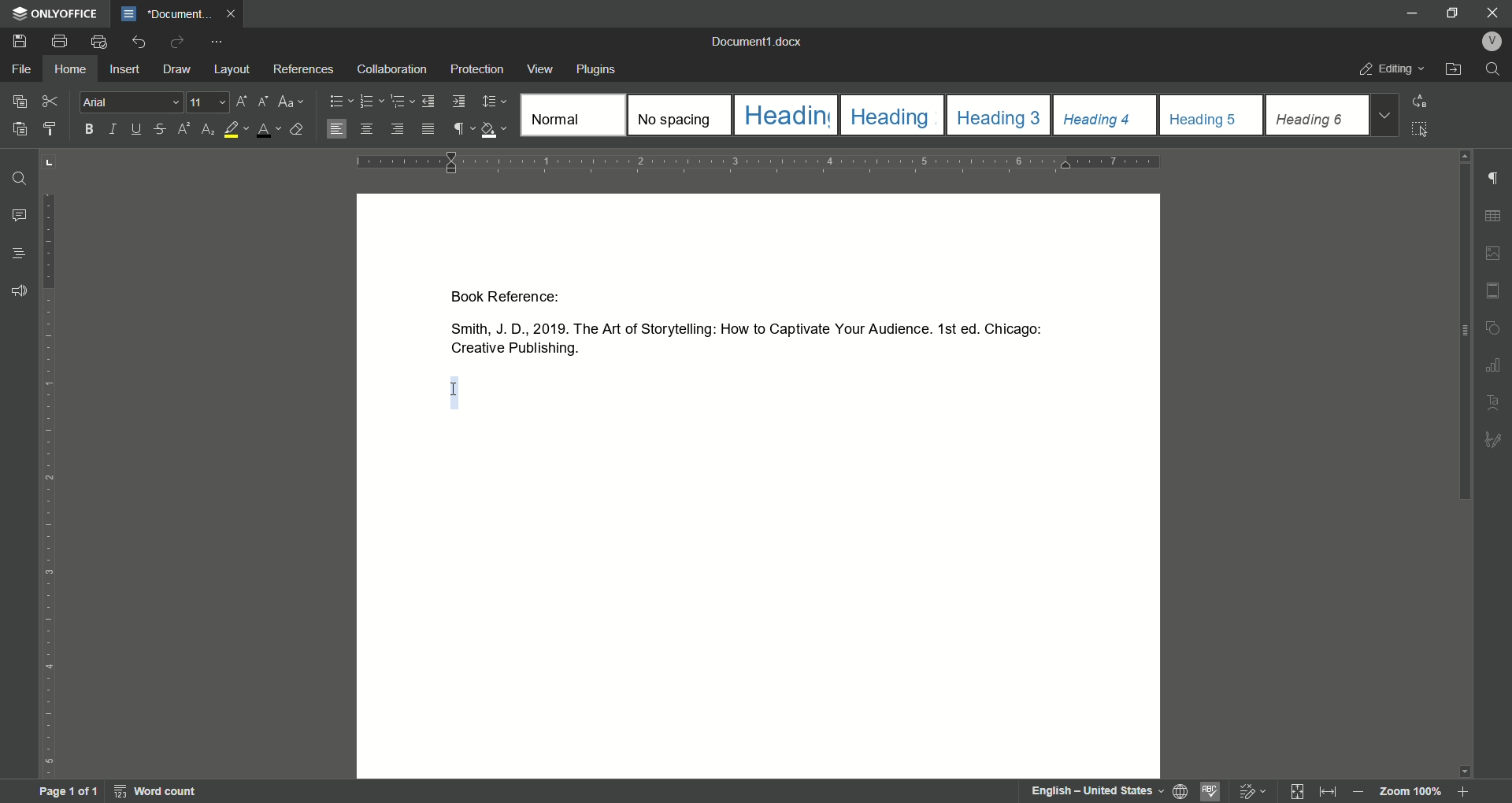 The width and height of the screenshot is (1512, 803). I want to click on paragraph orientation, so click(764, 161).